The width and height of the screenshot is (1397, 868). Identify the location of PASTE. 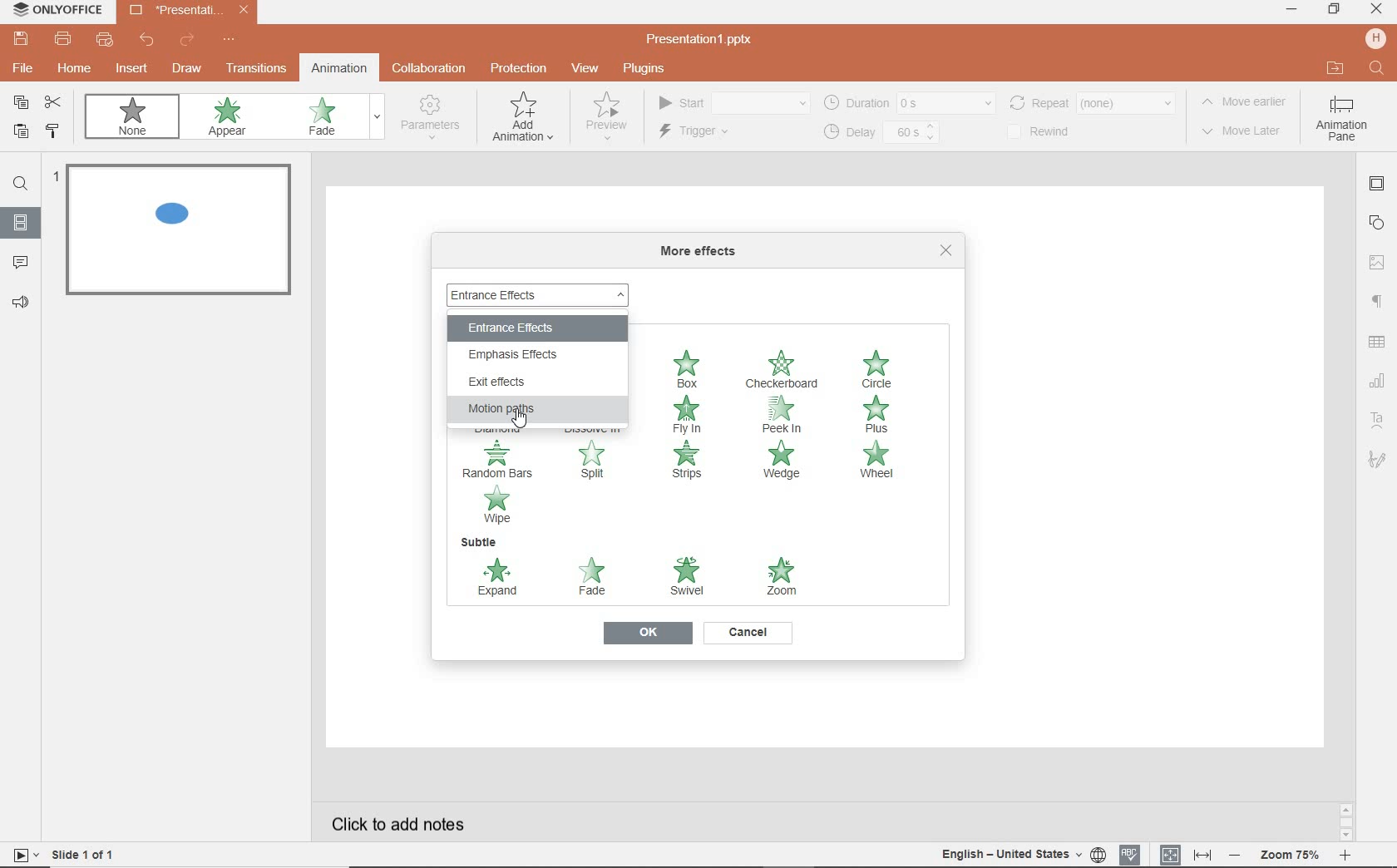
(20, 133).